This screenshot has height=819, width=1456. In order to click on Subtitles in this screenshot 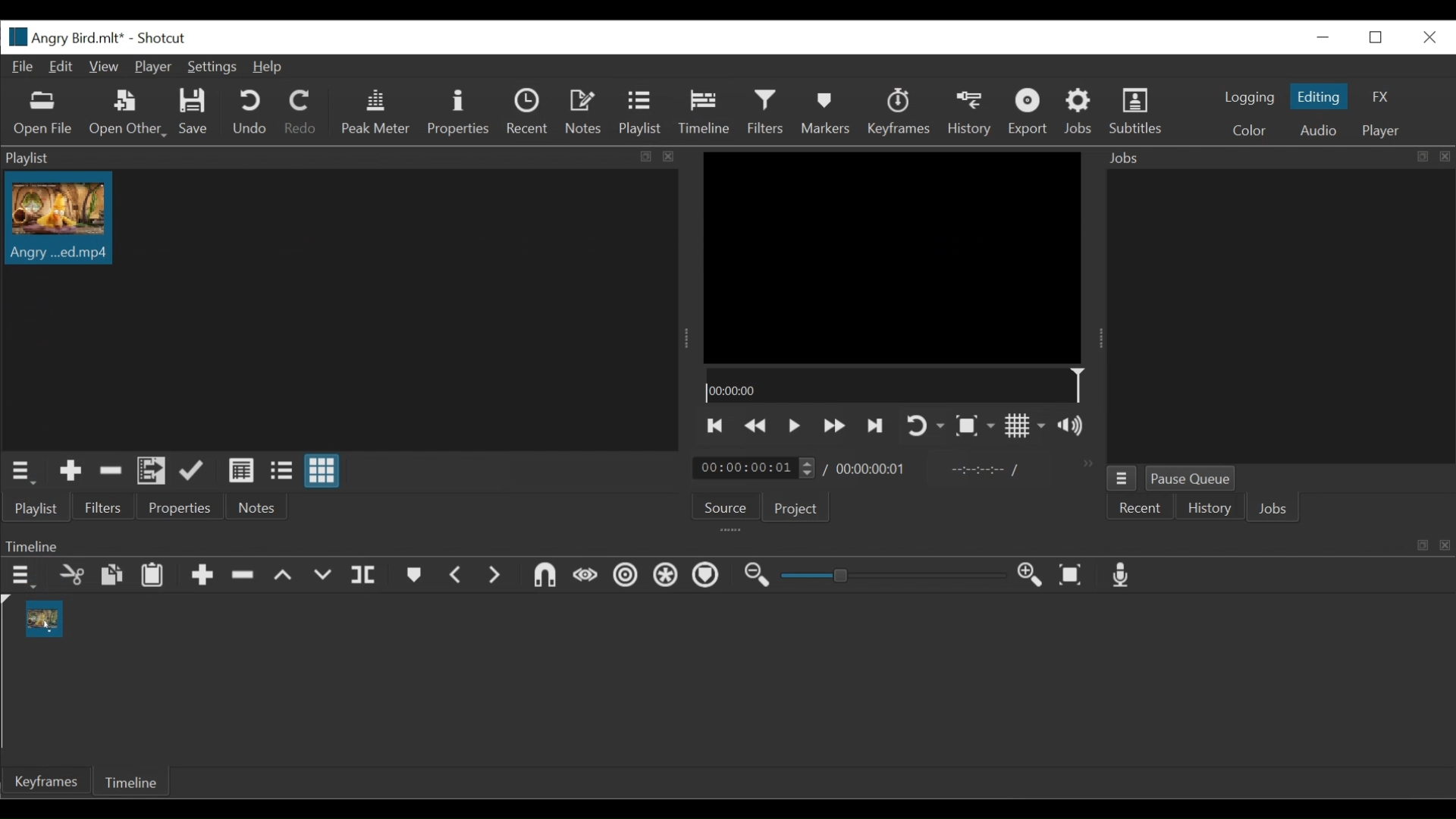, I will do `click(1137, 111)`.